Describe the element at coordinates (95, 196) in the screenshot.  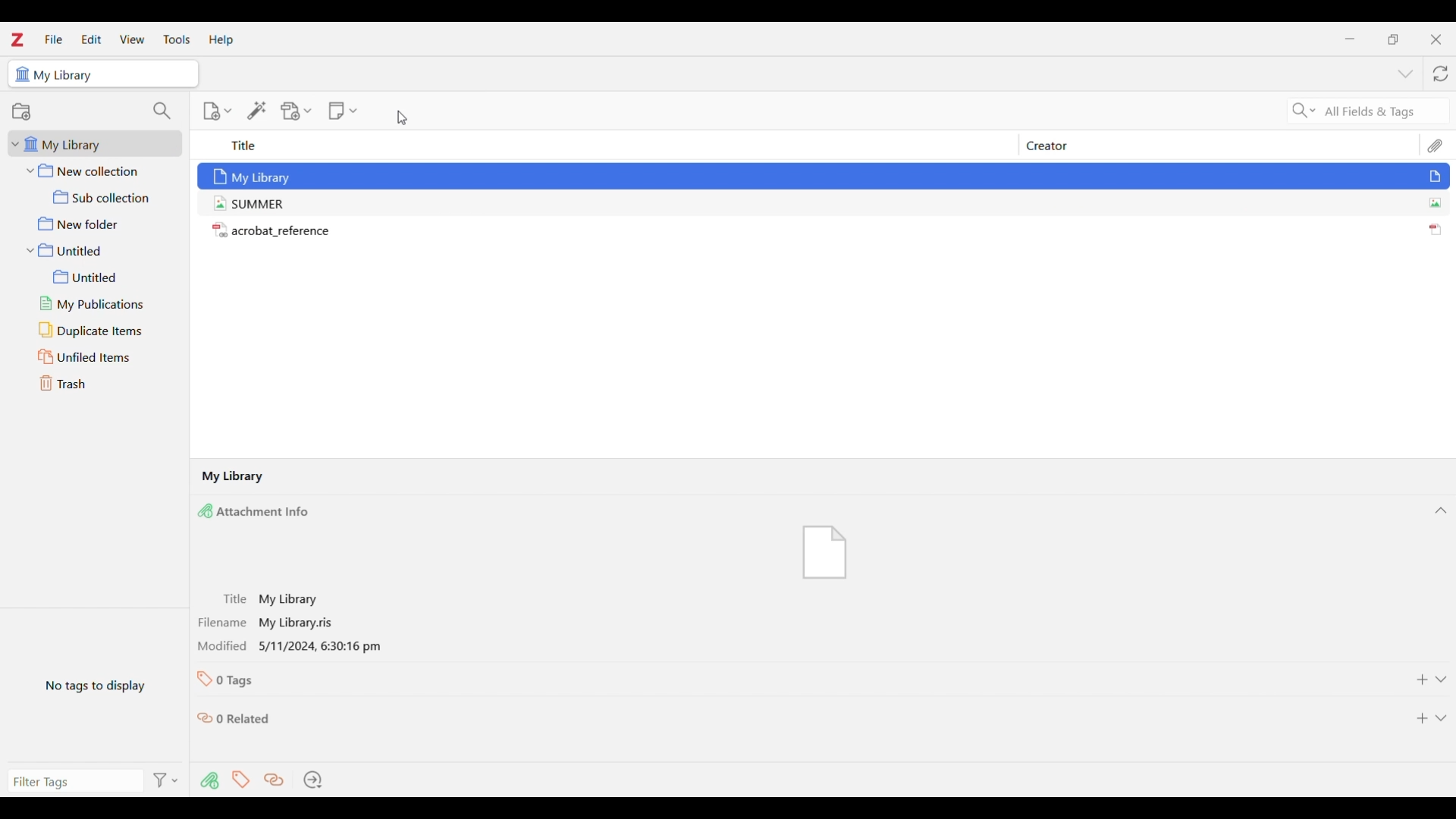
I see `Sub collection folder under New collection folder` at that location.